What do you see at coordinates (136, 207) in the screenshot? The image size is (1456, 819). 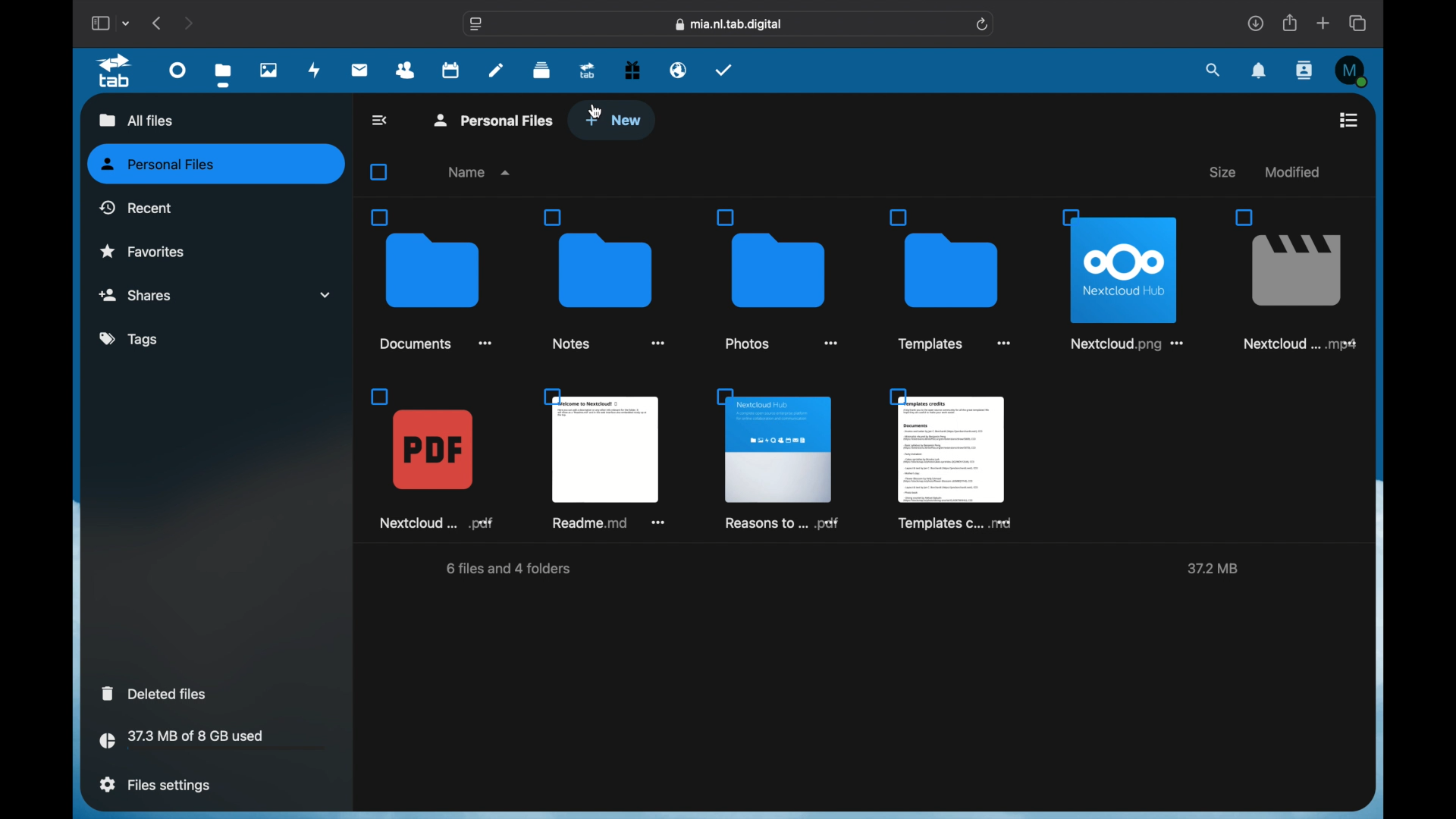 I see `recent` at bounding box center [136, 207].